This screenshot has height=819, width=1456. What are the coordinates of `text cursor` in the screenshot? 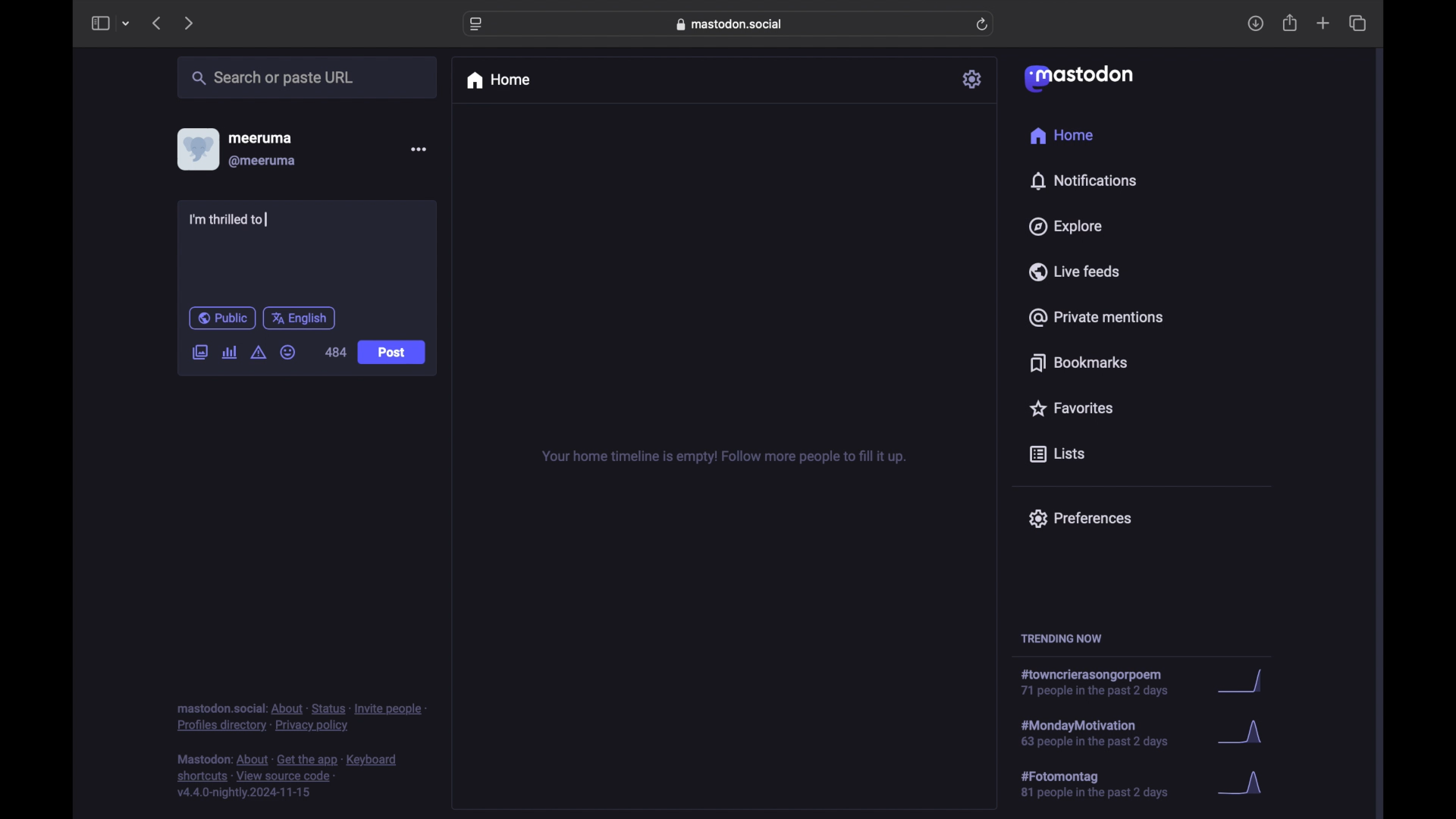 It's located at (267, 218).